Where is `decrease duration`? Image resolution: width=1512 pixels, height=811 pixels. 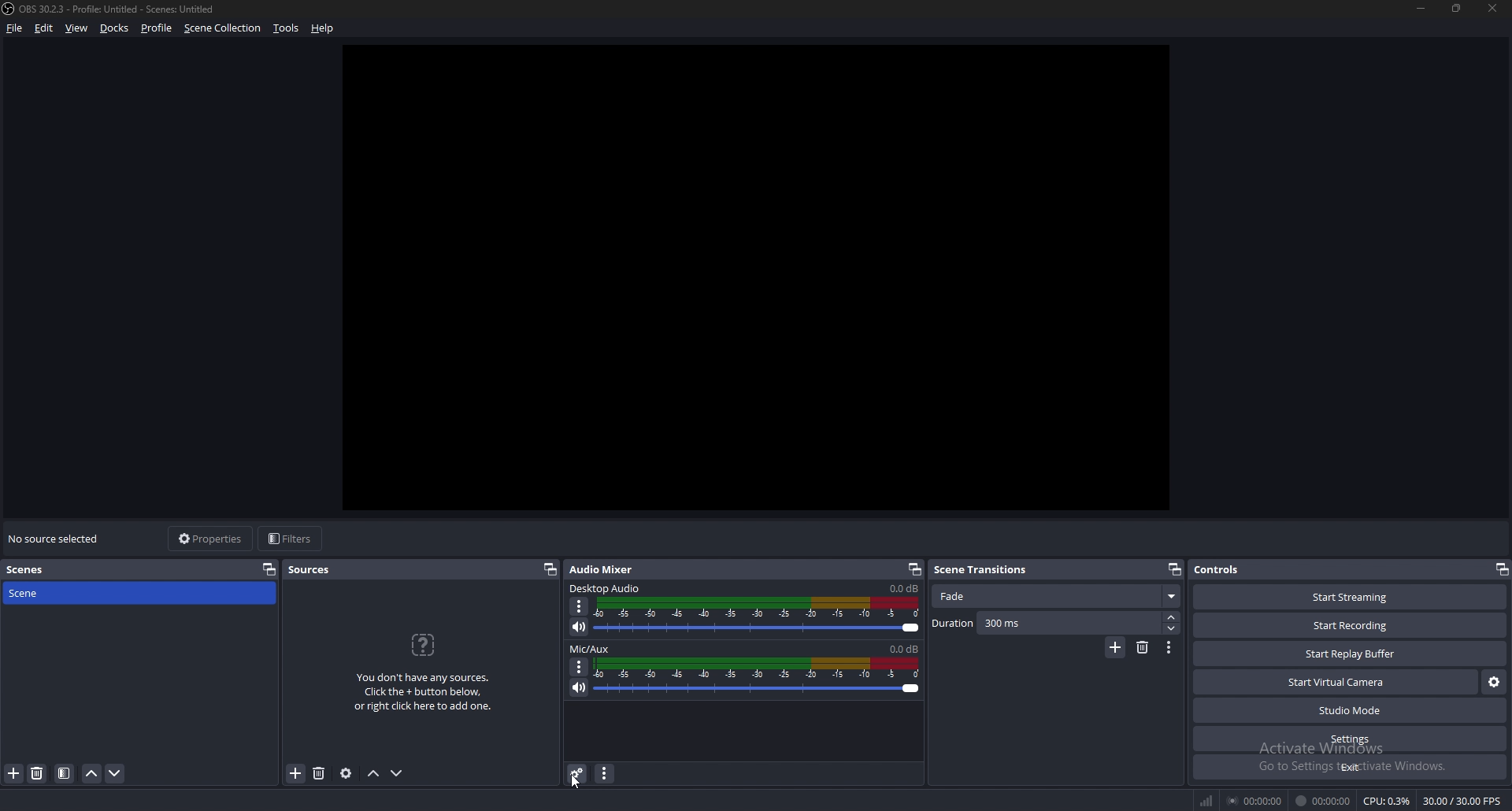
decrease duration is located at coordinates (1173, 628).